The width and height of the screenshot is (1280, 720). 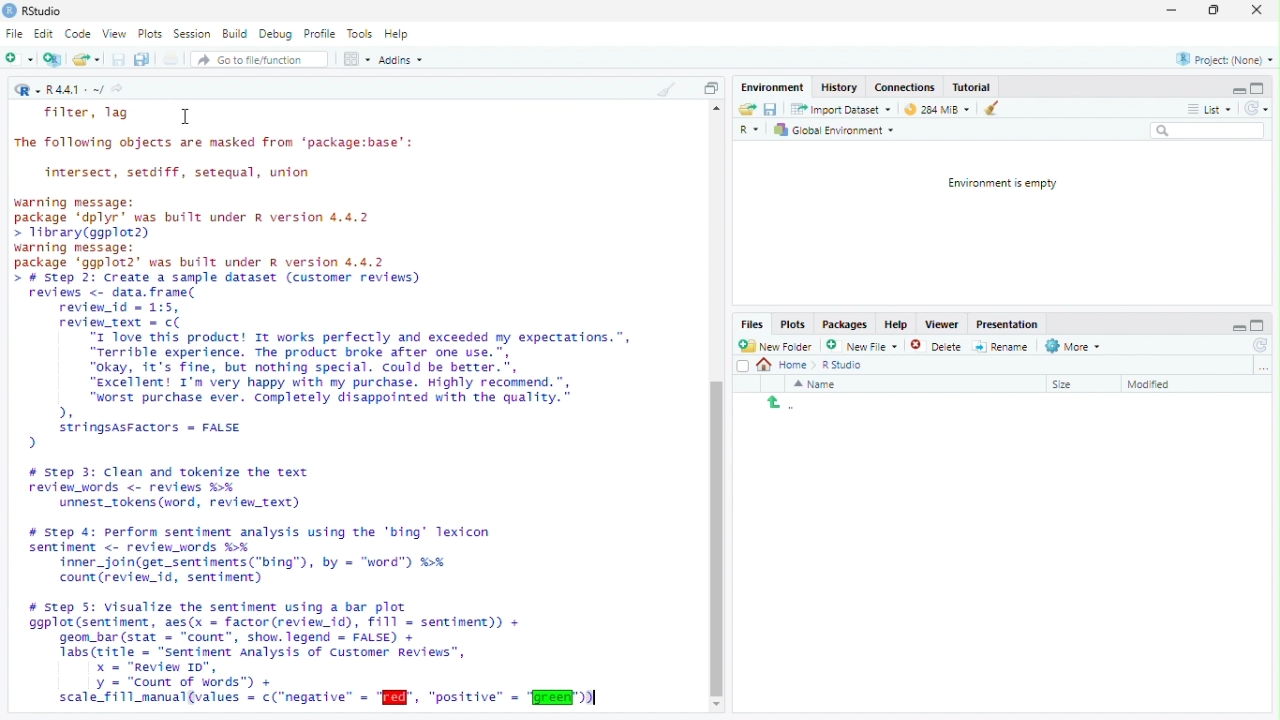 I want to click on > # Step 2: Create a sample dataset (customer reviews)
reviews <- data. frane(
review id = 1:5,
review text = c(
“I love this product! It works perfectly and exceeded my expectations.”
“Terrible experience. The product broke after one use.”,
“okay, ft's fine, but nothing special. Could be better.”,
“excellent! I'm very happy with my purchase. Highly recommend.”
"Worst purchase ever. Conpletely disappointed with the quality.”
J.
stringsasfactors = FALSE
), so click(x=328, y=363).